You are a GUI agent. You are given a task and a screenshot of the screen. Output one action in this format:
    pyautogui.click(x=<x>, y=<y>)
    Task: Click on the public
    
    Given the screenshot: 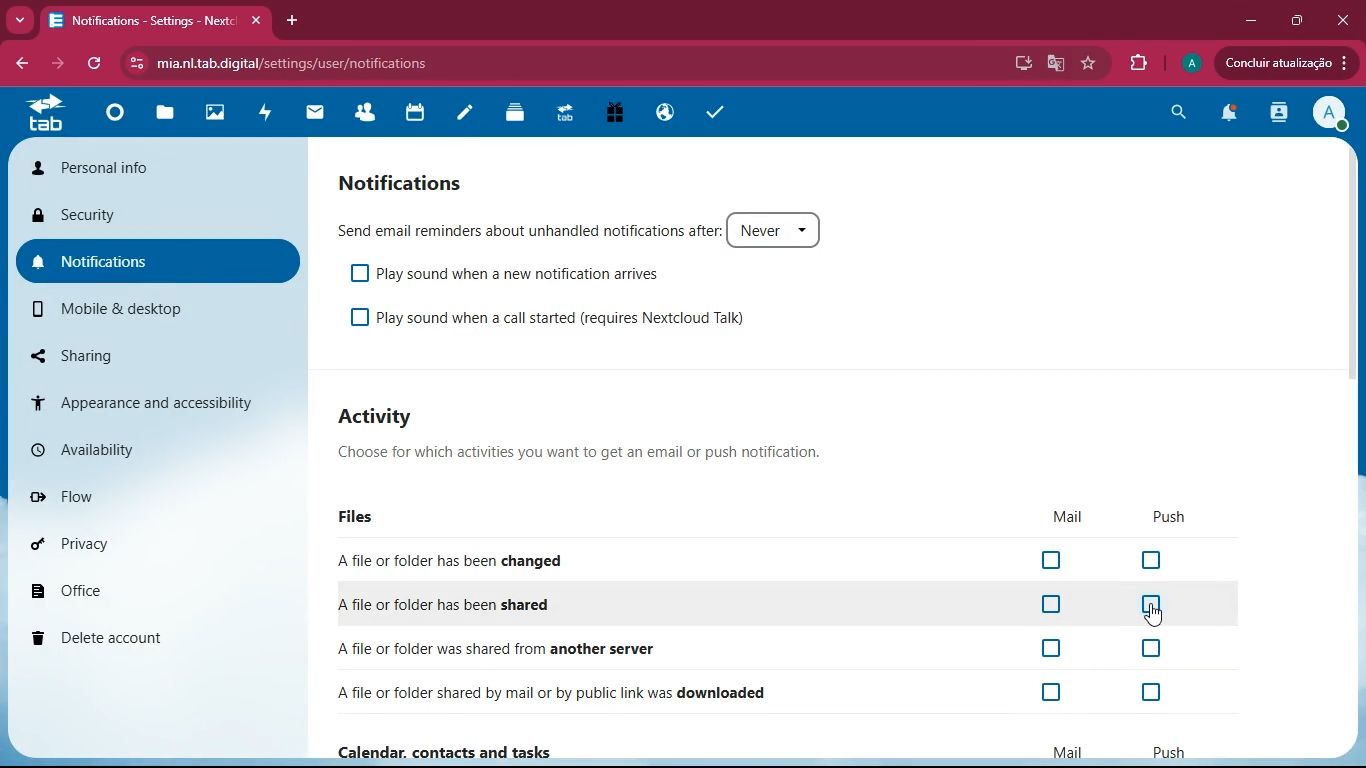 What is the action you would take?
    pyautogui.click(x=660, y=112)
    